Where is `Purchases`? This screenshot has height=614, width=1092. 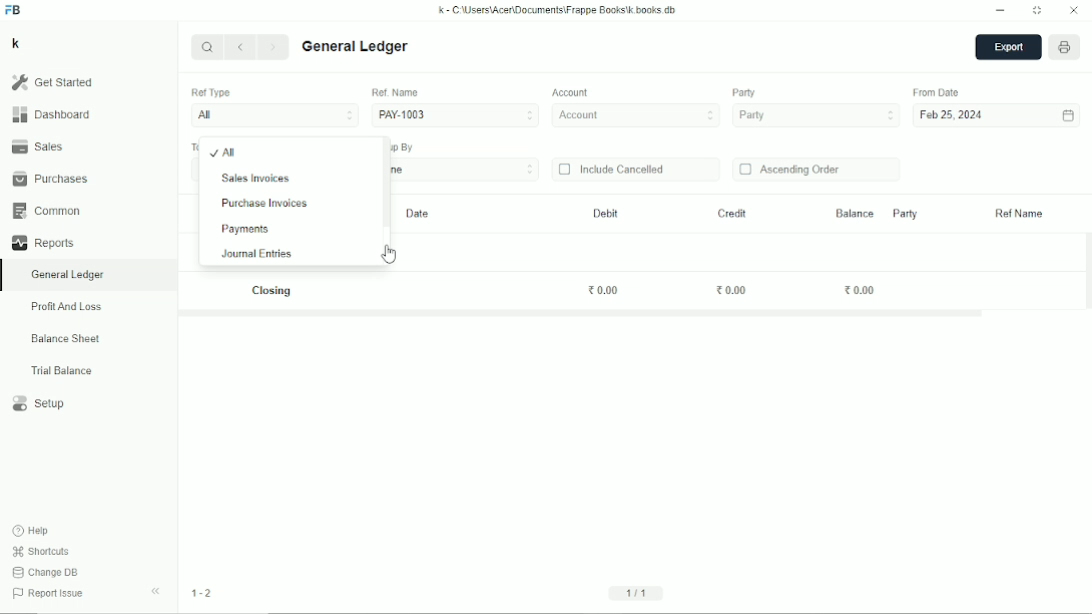 Purchases is located at coordinates (50, 178).